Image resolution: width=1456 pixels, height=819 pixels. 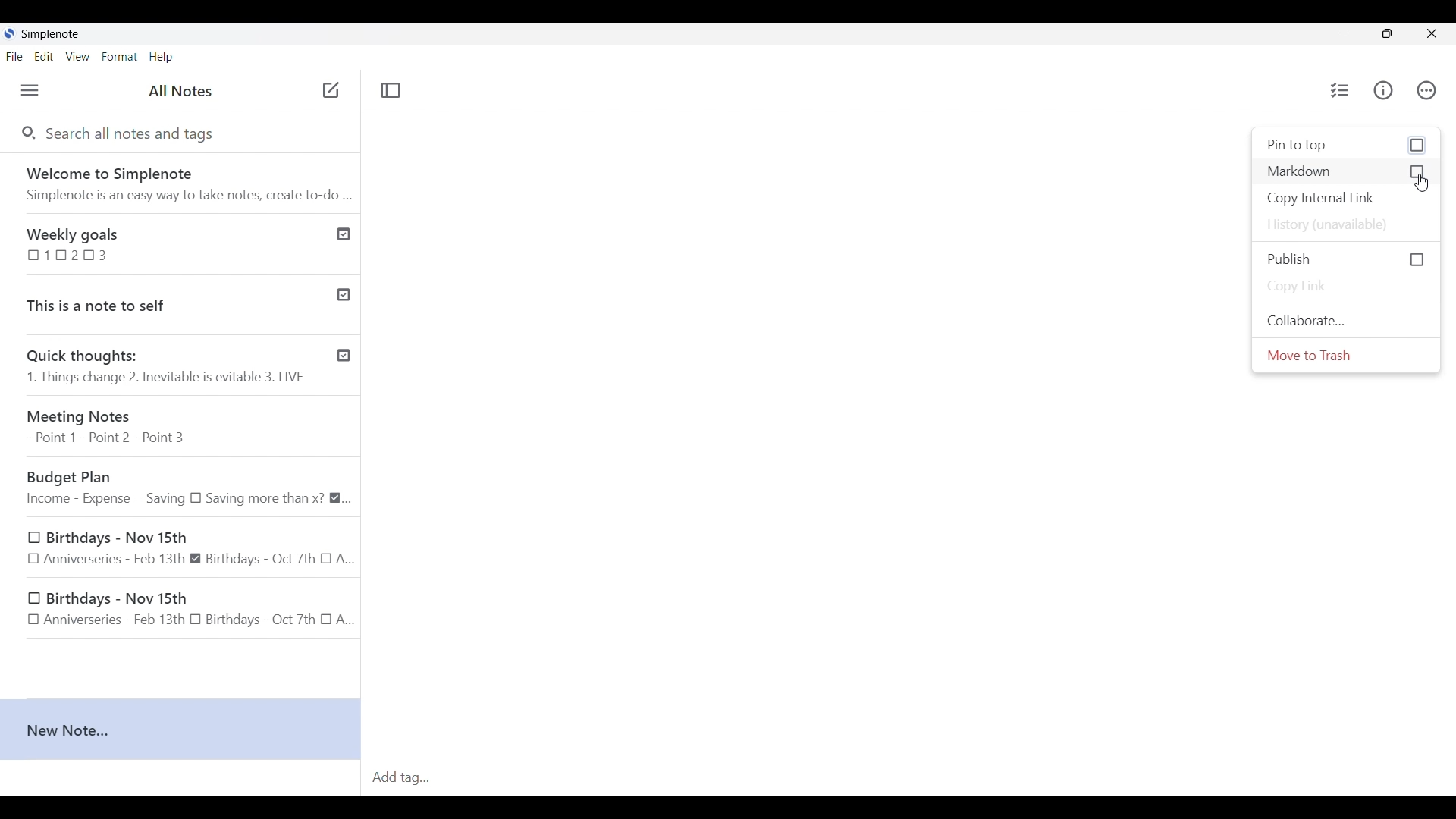 I want to click on Menu, so click(x=30, y=90).